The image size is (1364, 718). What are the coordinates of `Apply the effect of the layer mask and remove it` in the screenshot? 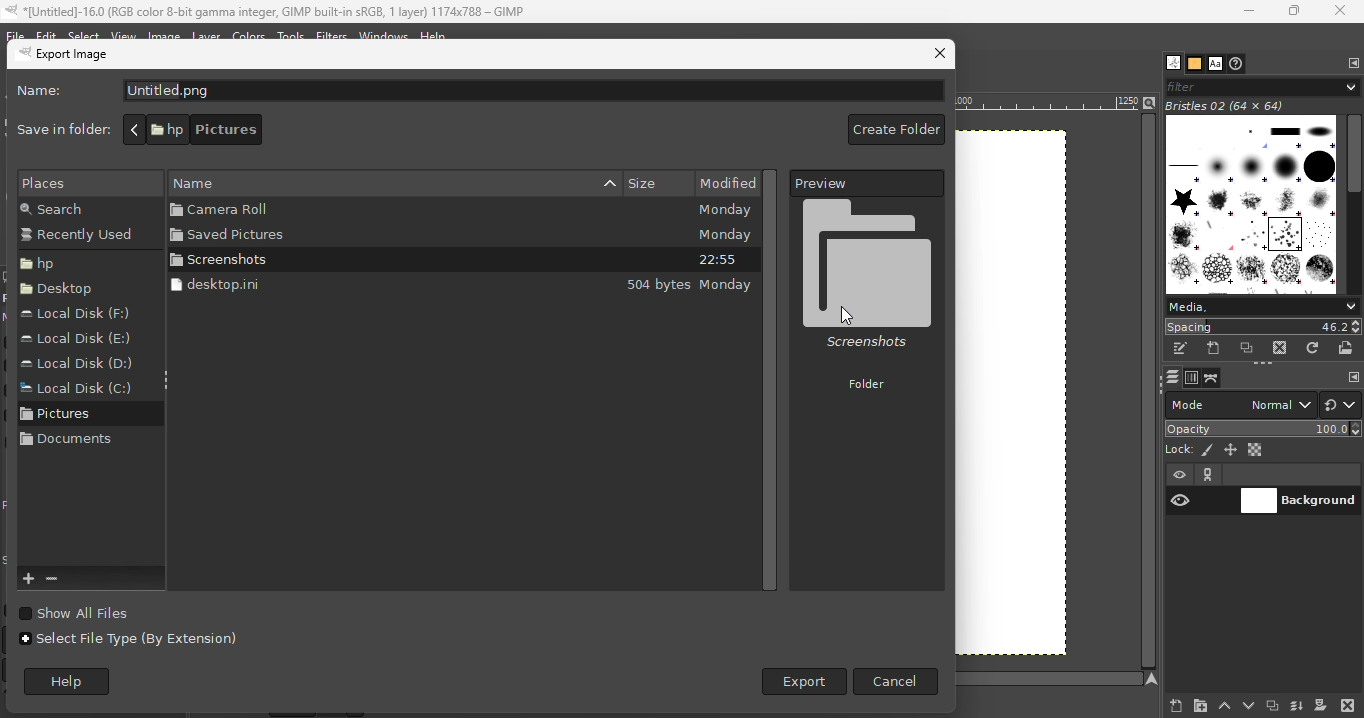 It's located at (1320, 707).